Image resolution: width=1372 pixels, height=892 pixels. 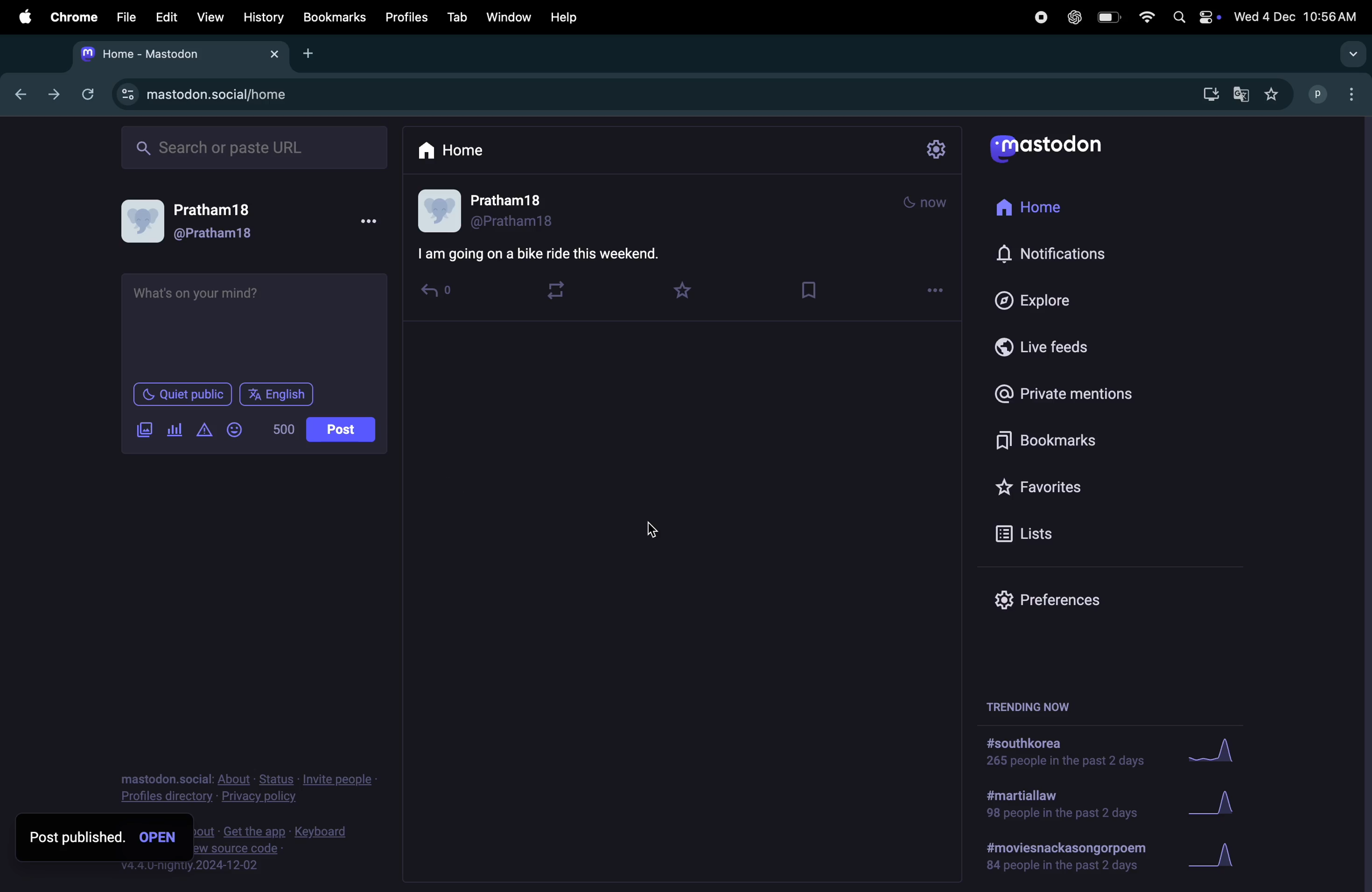 I want to click on Graph, so click(x=1225, y=857).